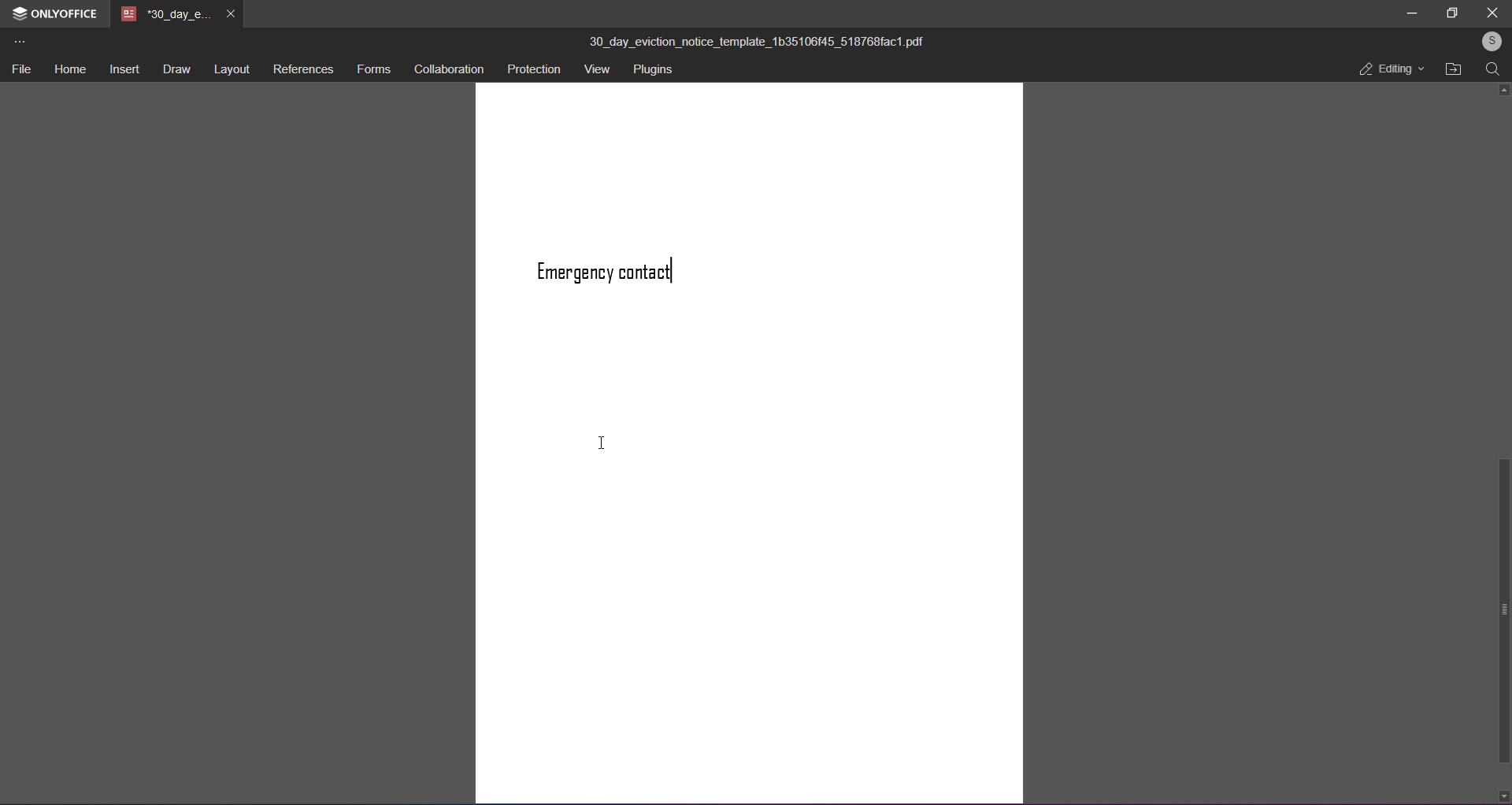 Image resolution: width=1512 pixels, height=805 pixels. Describe the element at coordinates (121, 72) in the screenshot. I see `insert` at that location.